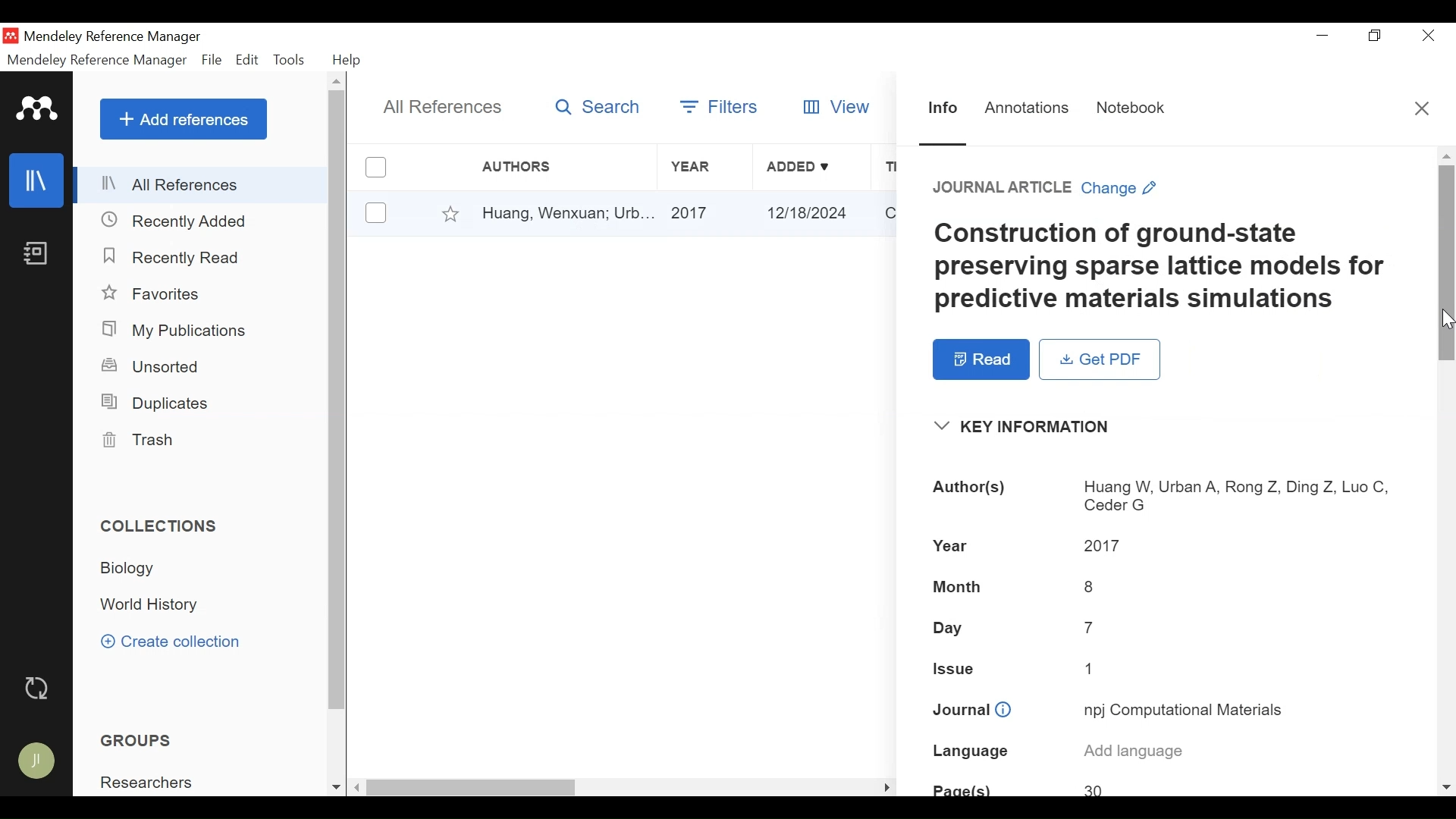  What do you see at coordinates (532, 167) in the screenshot?
I see `Authors` at bounding box center [532, 167].